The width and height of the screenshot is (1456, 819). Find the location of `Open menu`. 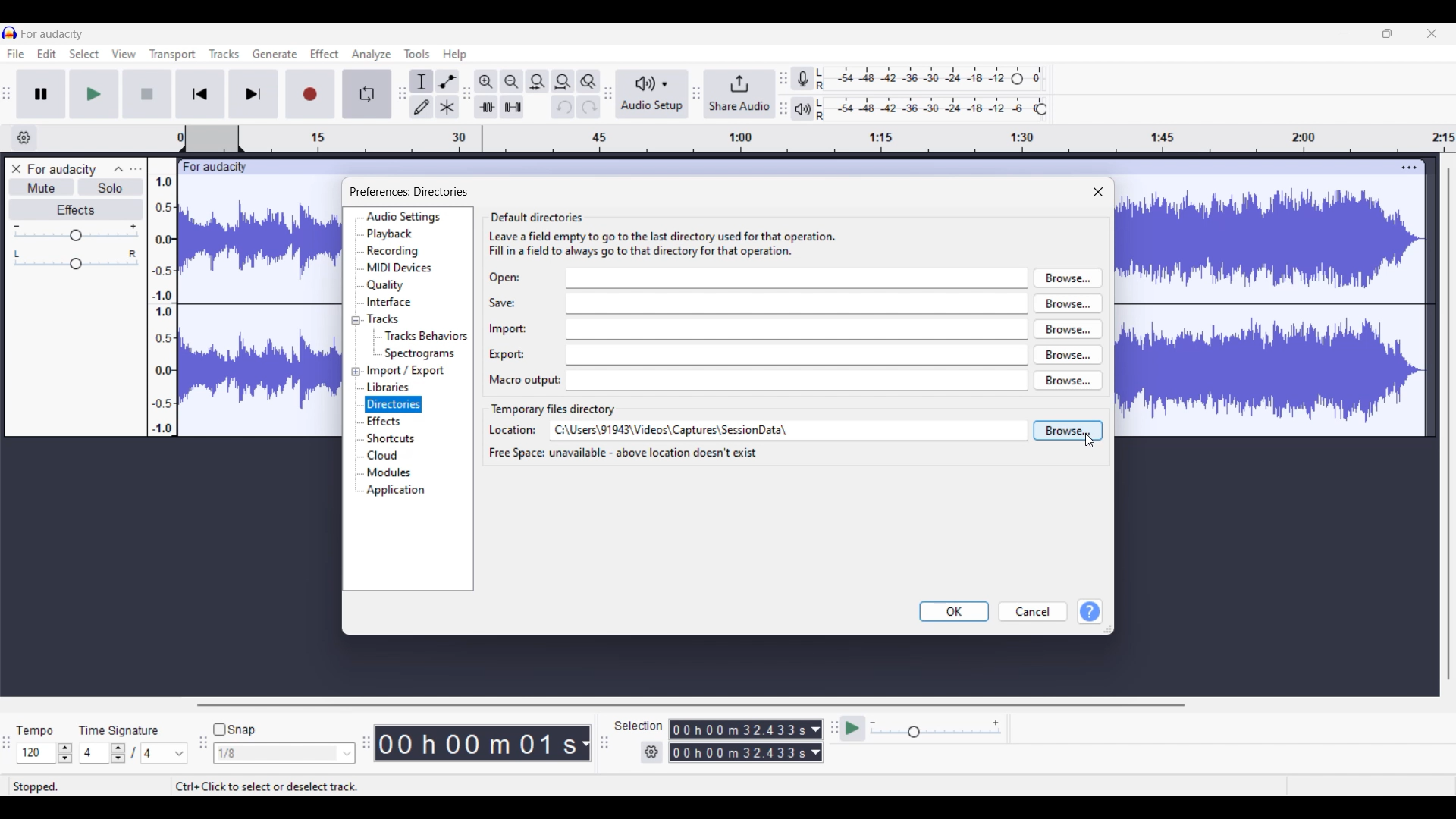

Open menu is located at coordinates (136, 169).